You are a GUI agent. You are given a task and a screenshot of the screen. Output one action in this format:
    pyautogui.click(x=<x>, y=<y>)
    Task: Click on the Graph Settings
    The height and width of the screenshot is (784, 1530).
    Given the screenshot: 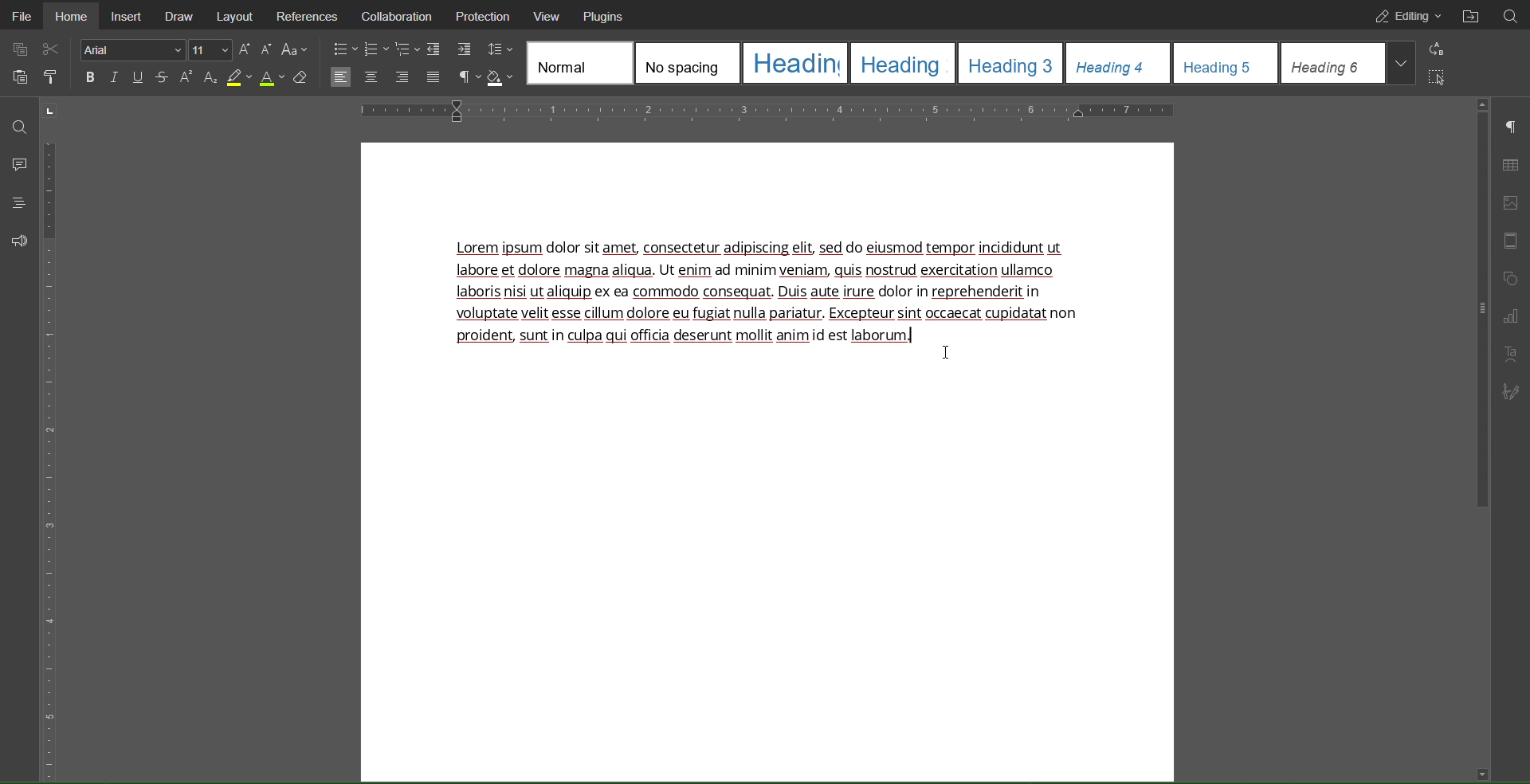 What is the action you would take?
    pyautogui.click(x=1509, y=316)
    